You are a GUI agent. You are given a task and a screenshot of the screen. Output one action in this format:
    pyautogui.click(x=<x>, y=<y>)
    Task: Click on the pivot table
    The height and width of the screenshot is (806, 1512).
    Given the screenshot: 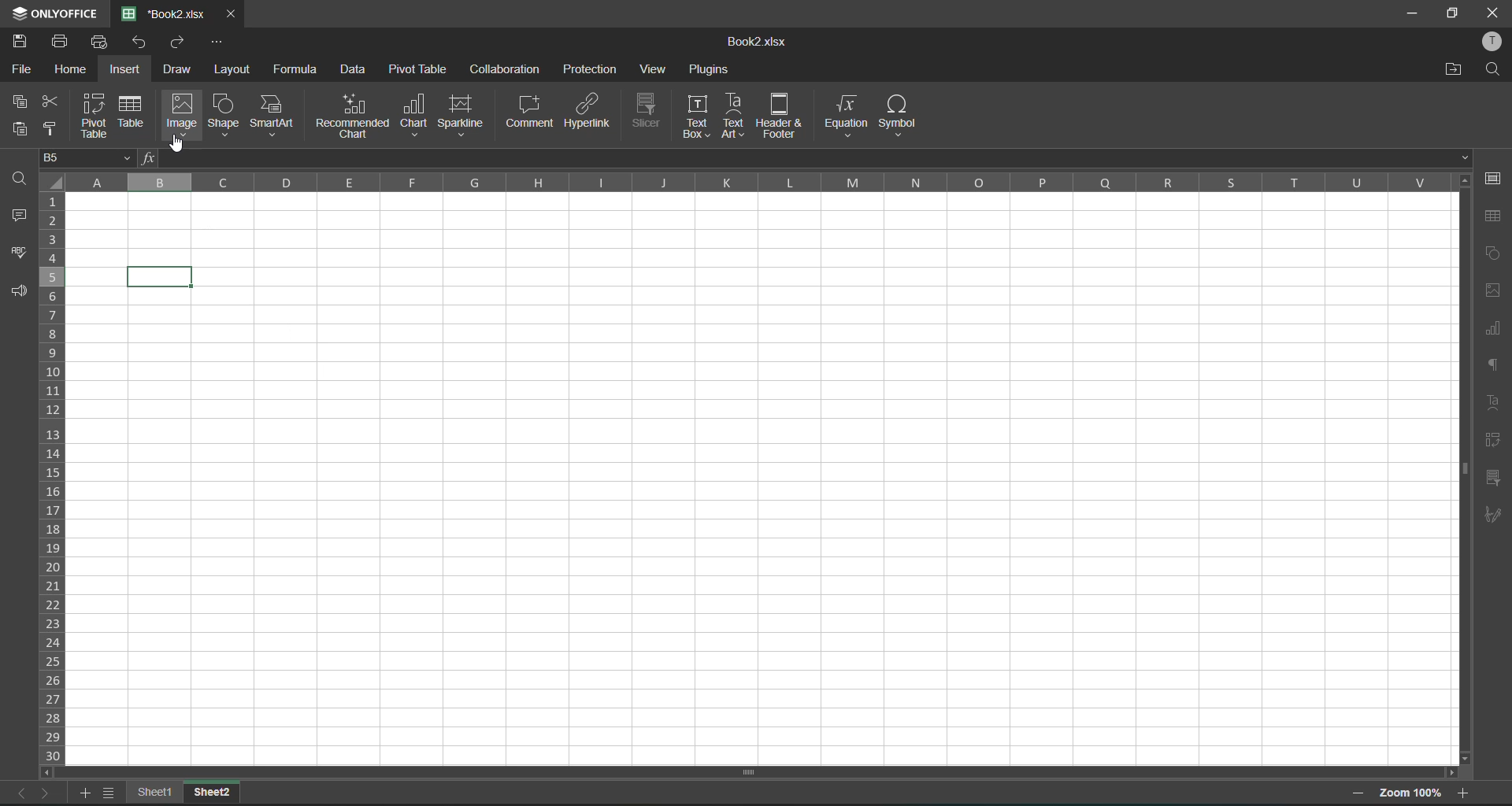 What is the action you would take?
    pyautogui.click(x=96, y=117)
    